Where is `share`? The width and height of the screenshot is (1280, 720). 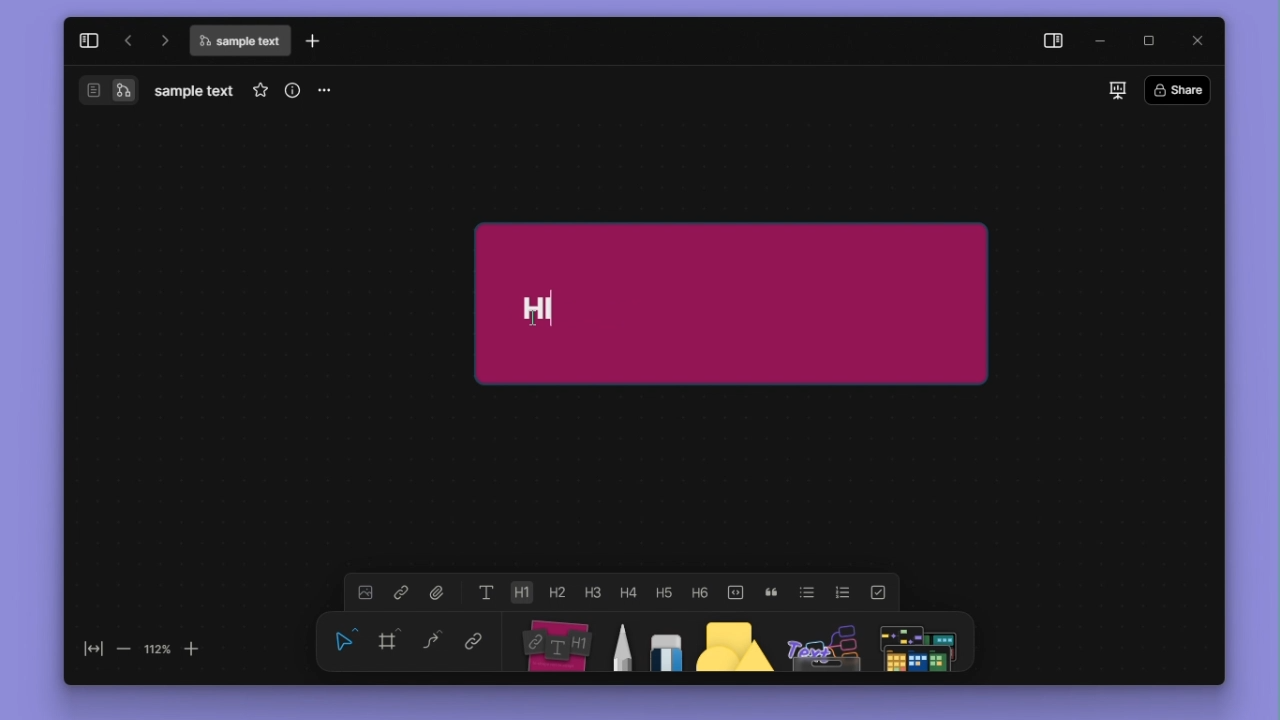 share is located at coordinates (1178, 89).